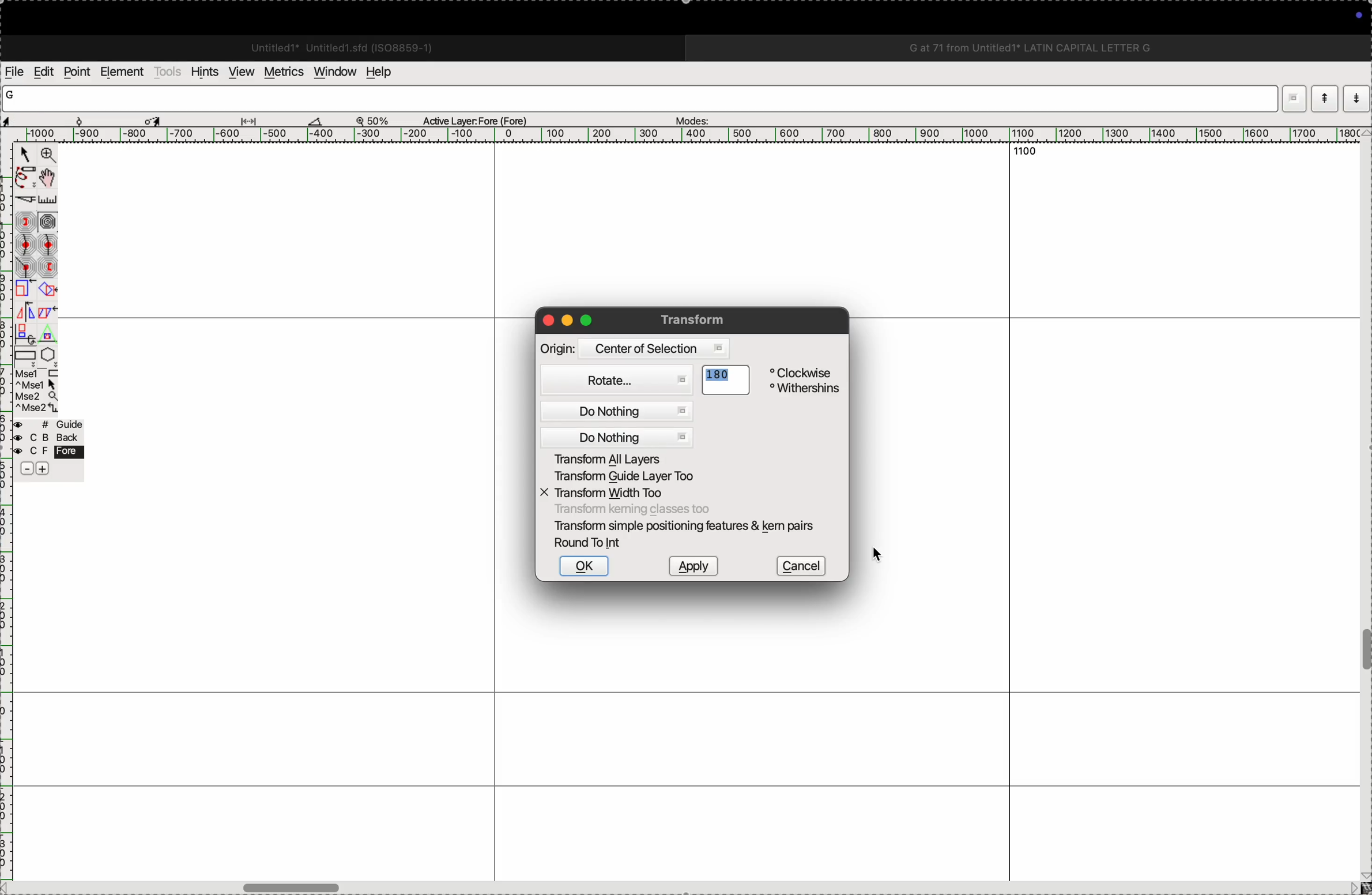 Image resolution: width=1372 pixels, height=895 pixels. I want to click on show previous word list, so click(1358, 97).